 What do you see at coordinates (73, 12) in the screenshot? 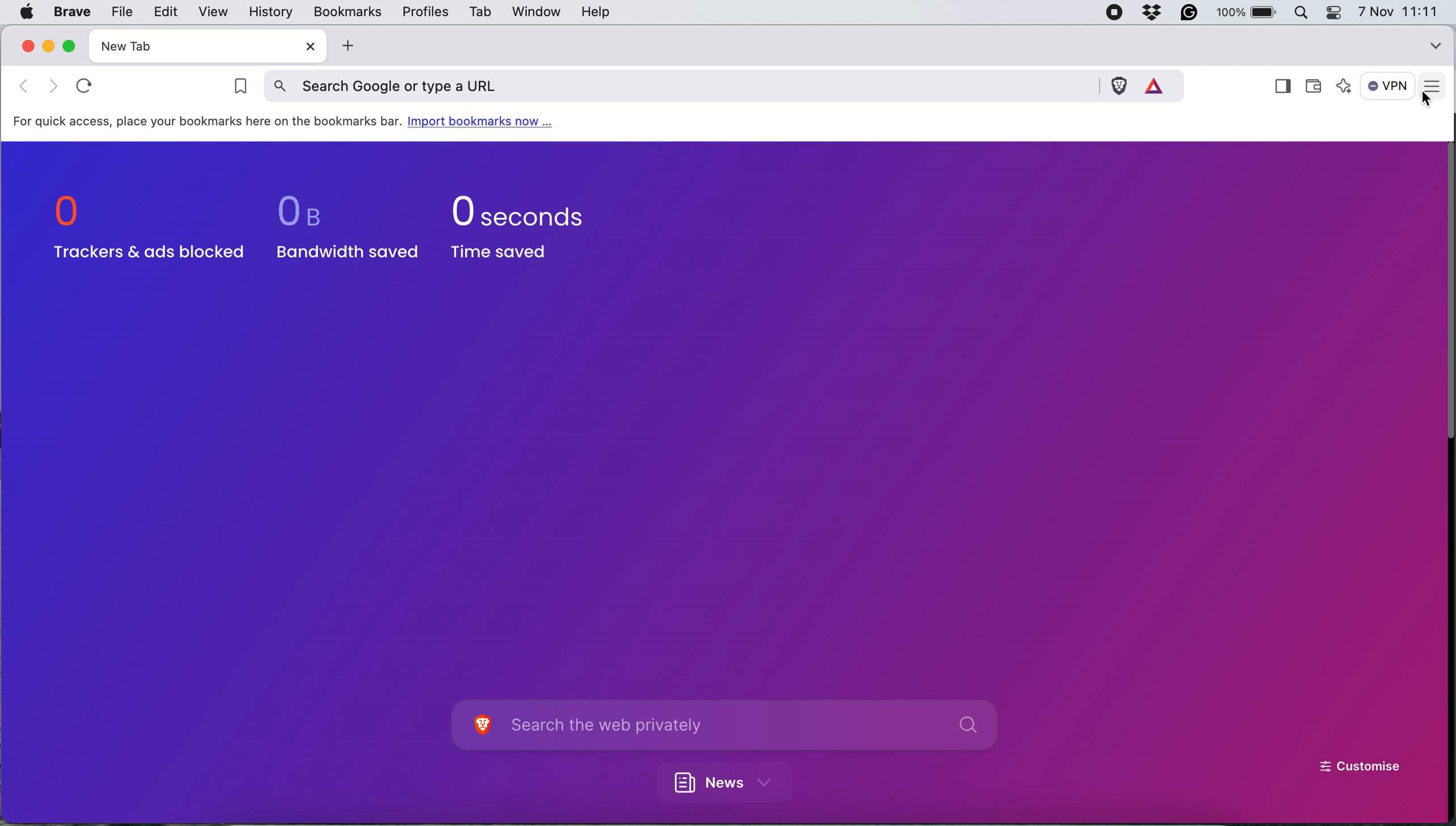
I see `brave` at bounding box center [73, 12].